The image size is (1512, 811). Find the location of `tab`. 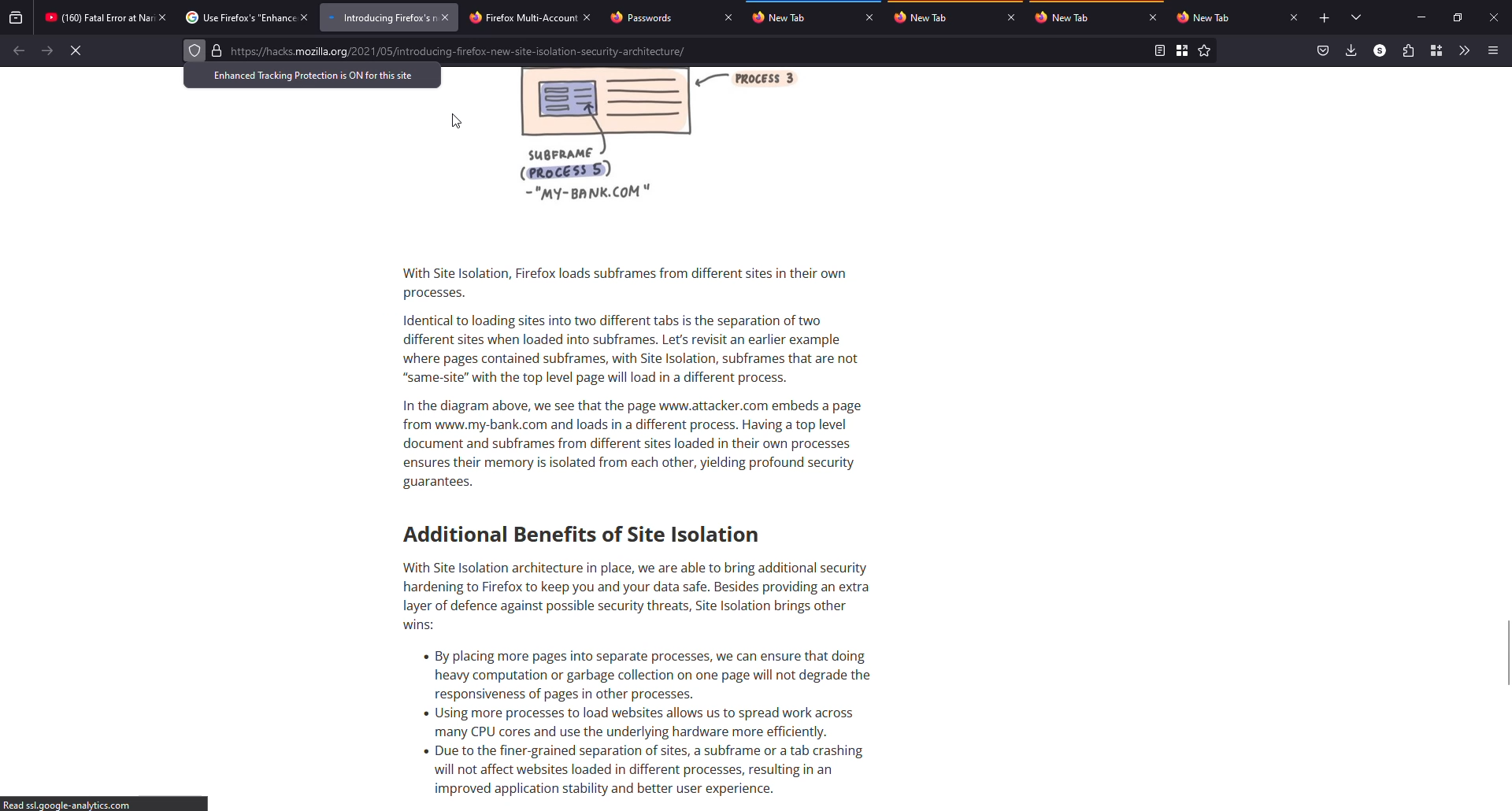

tab is located at coordinates (1068, 17).